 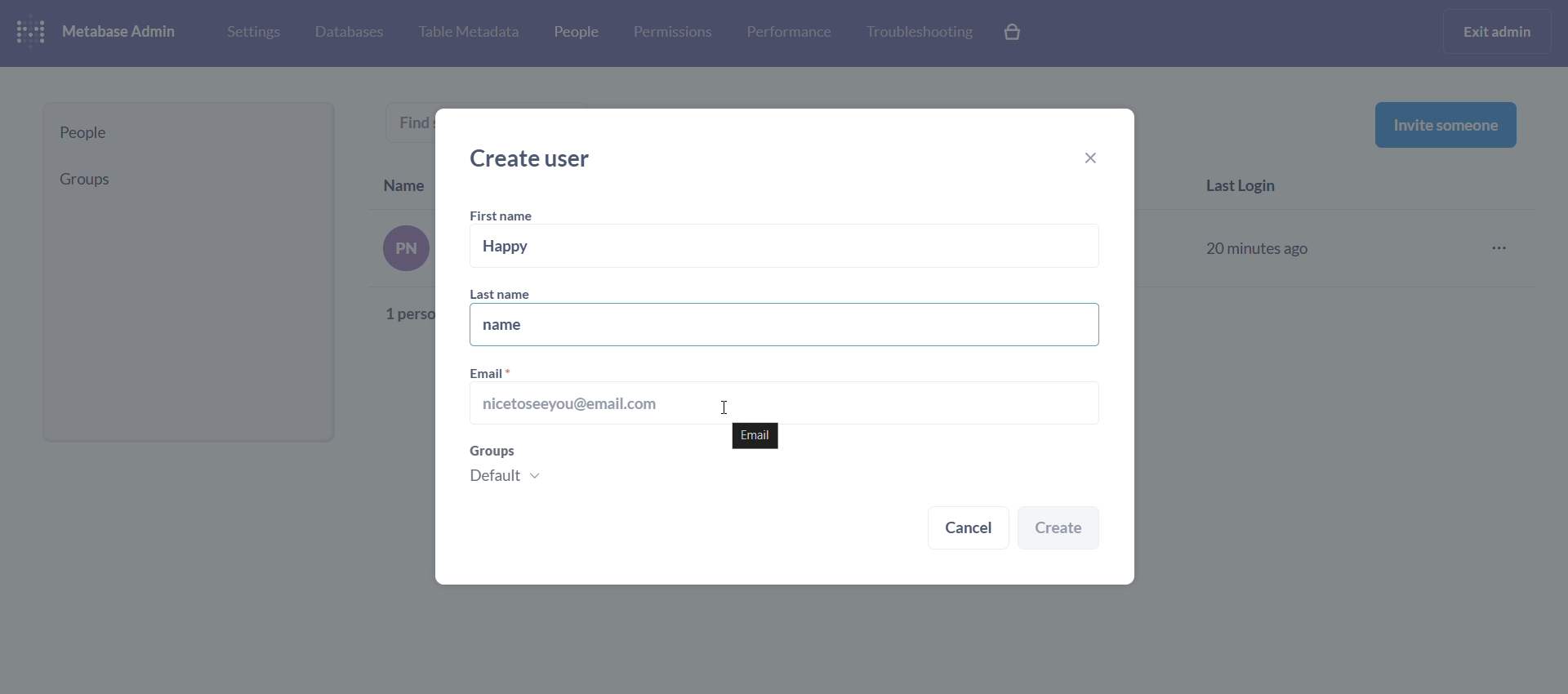 What do you see at coordinates (1500, 31) in the screenshot?
I see `exit admin` at bounding box center [1500, 31].